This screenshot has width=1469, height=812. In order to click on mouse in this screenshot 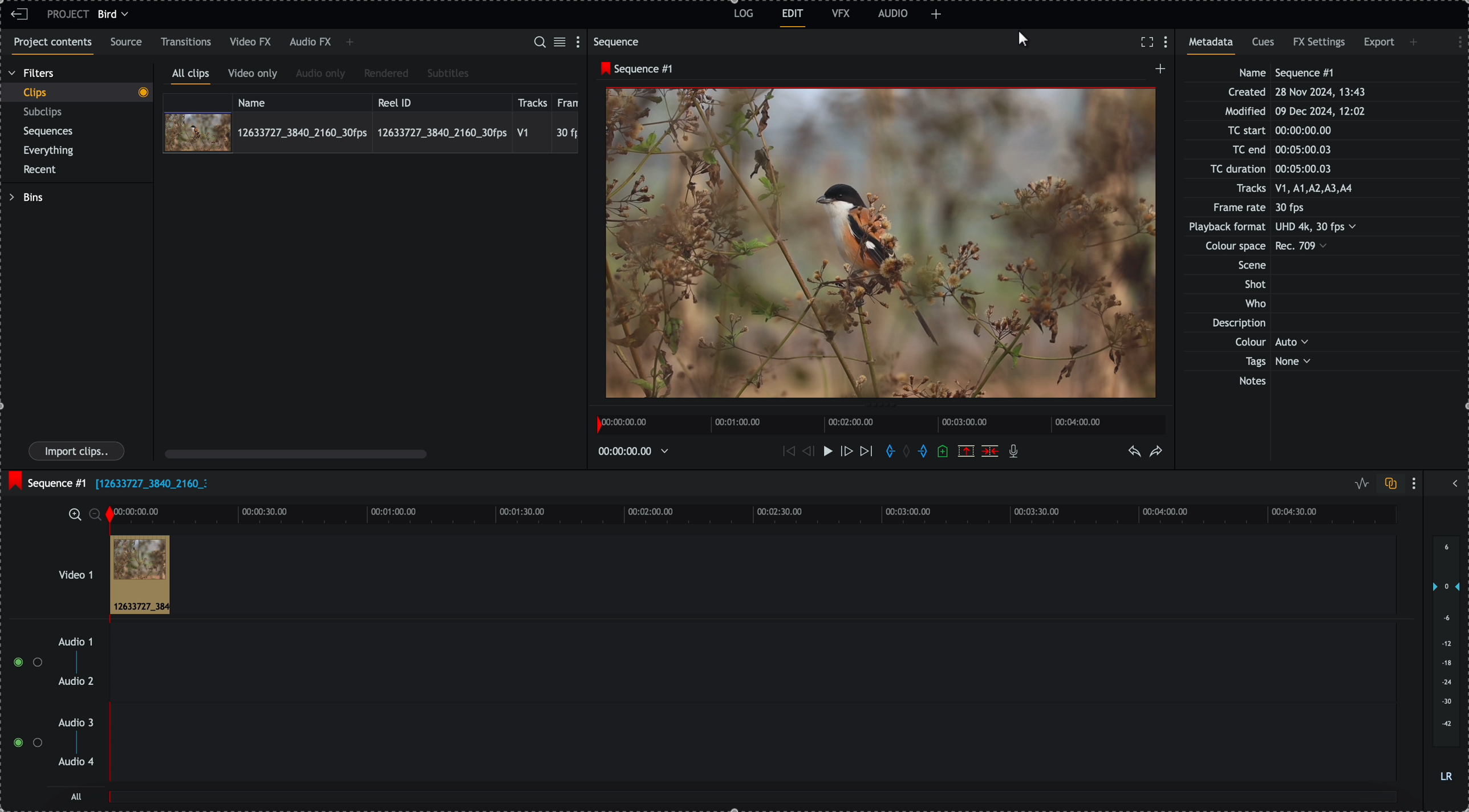, I will do `click(1025, 39)`.